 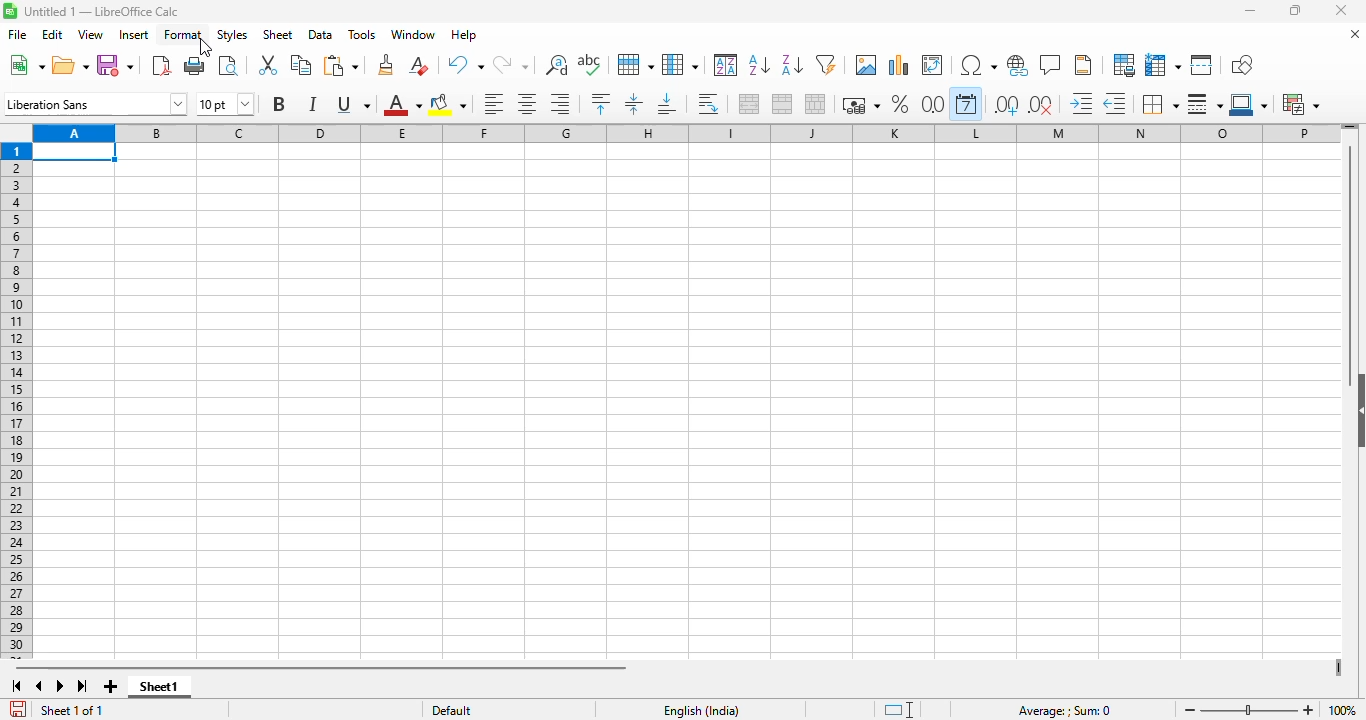 I want to click on formula, so click(x=1065, y=711).